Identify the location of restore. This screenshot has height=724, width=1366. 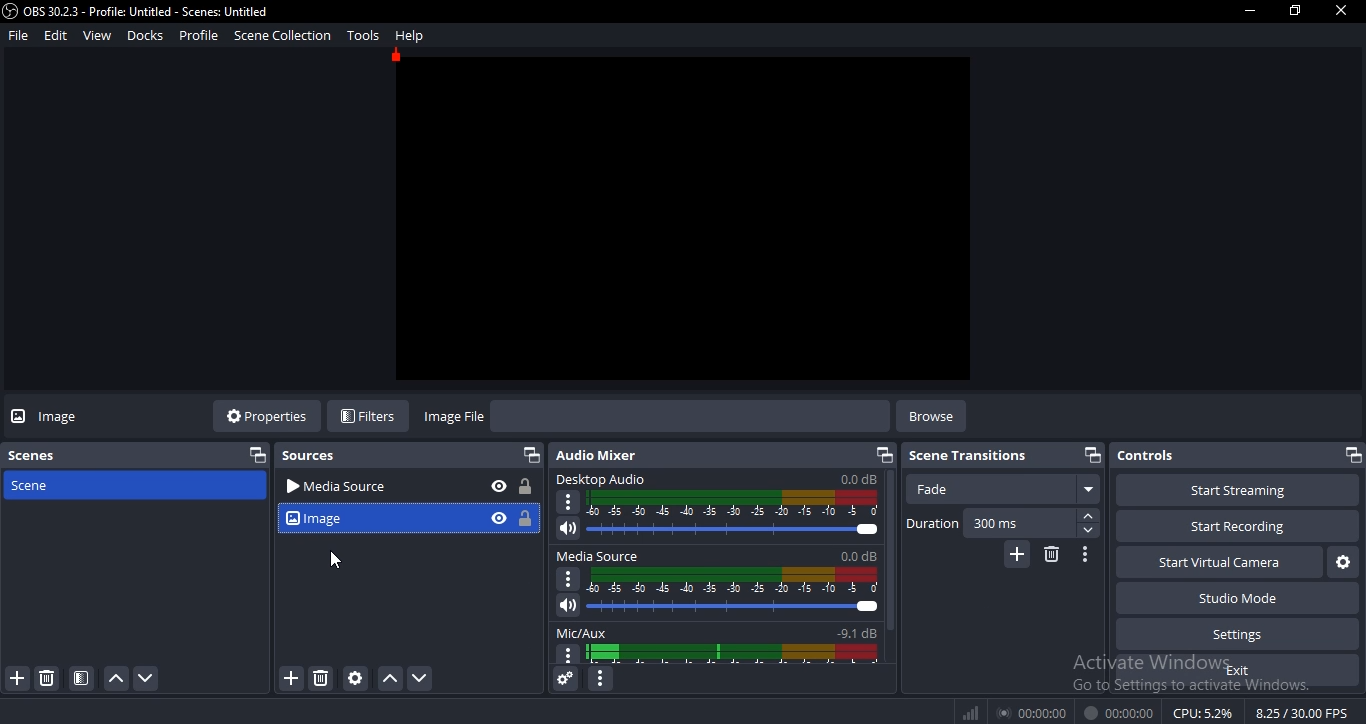
(254, 456).